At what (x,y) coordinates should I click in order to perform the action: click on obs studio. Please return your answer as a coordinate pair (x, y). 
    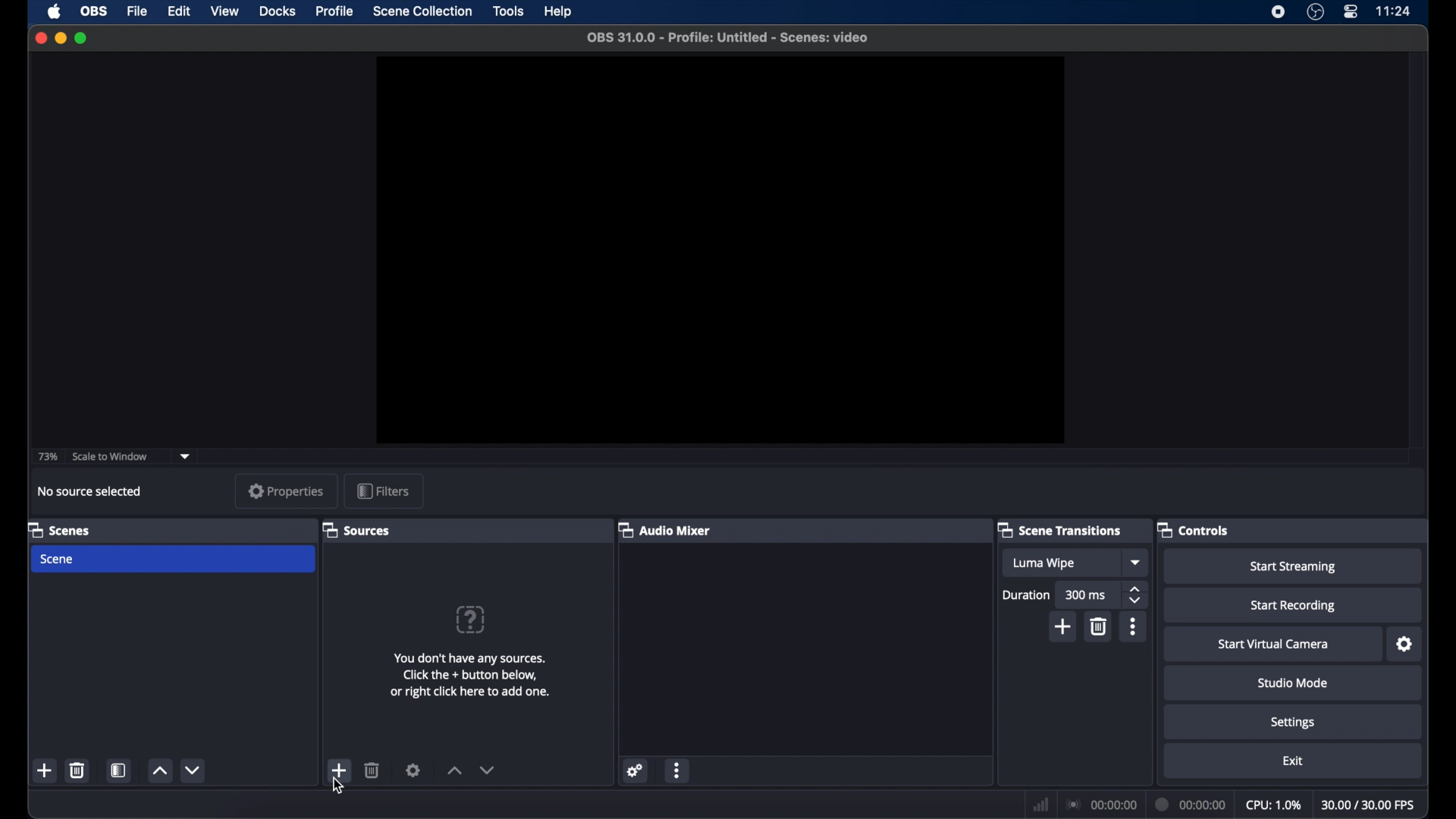
    Looking at the image, I should click on (1314, 12).